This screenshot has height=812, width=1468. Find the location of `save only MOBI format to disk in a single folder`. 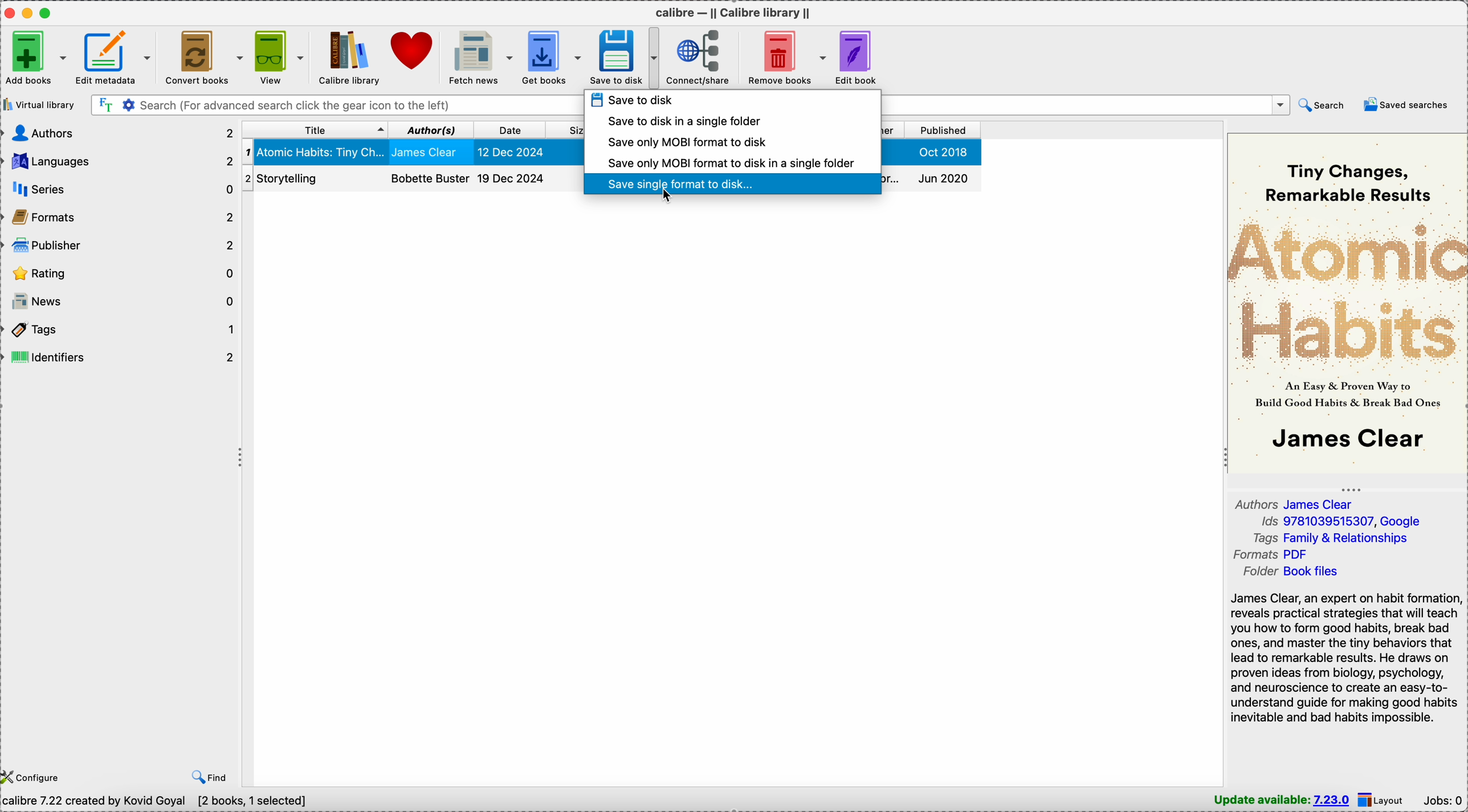

save only MOBI format to disk in a single folder is located at coordinates (728, 162).